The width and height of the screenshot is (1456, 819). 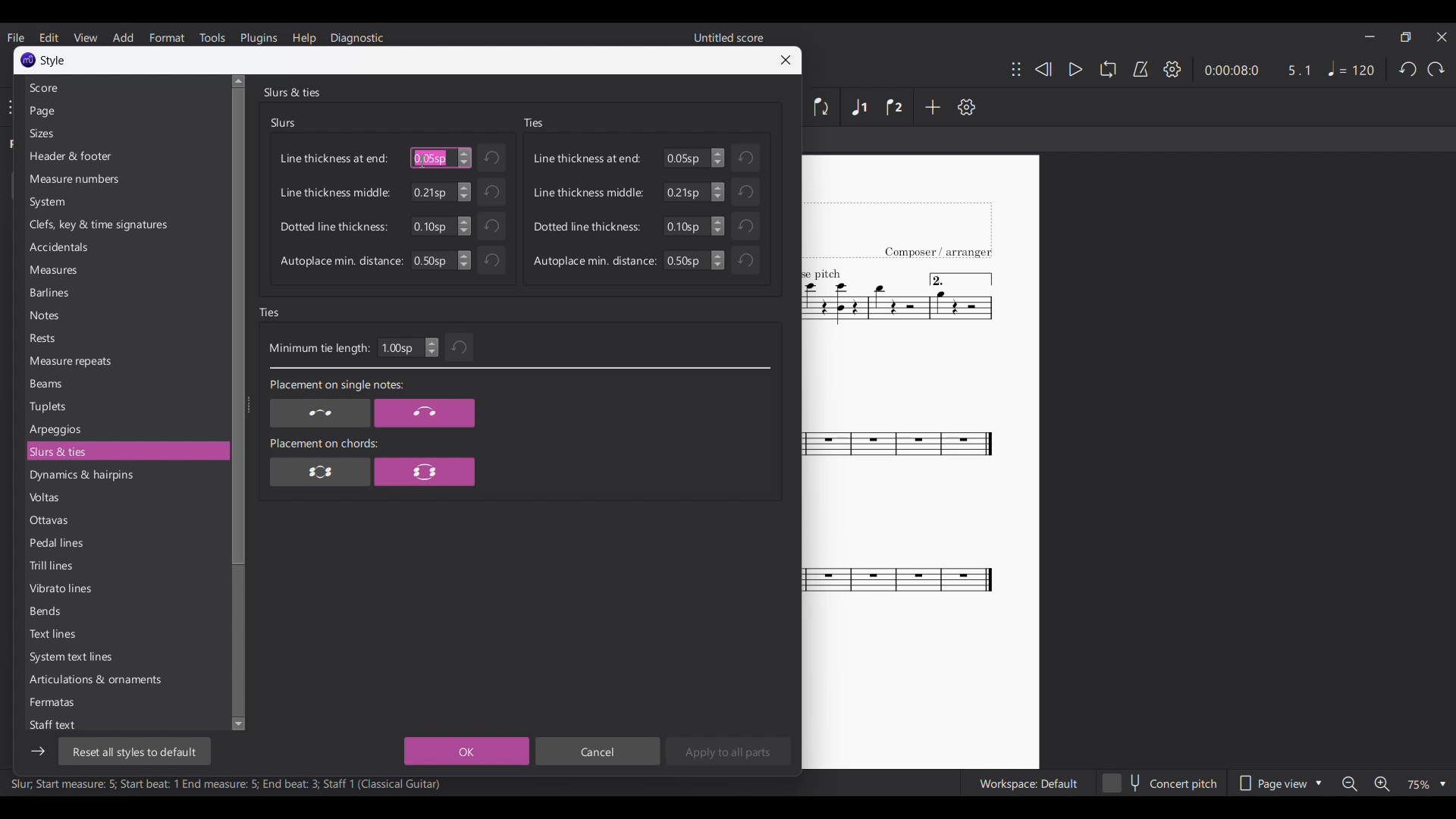 What do you see at coordinates (899, 463) in the screenshot?
I see `Current score` at bounding box center [899, 463].